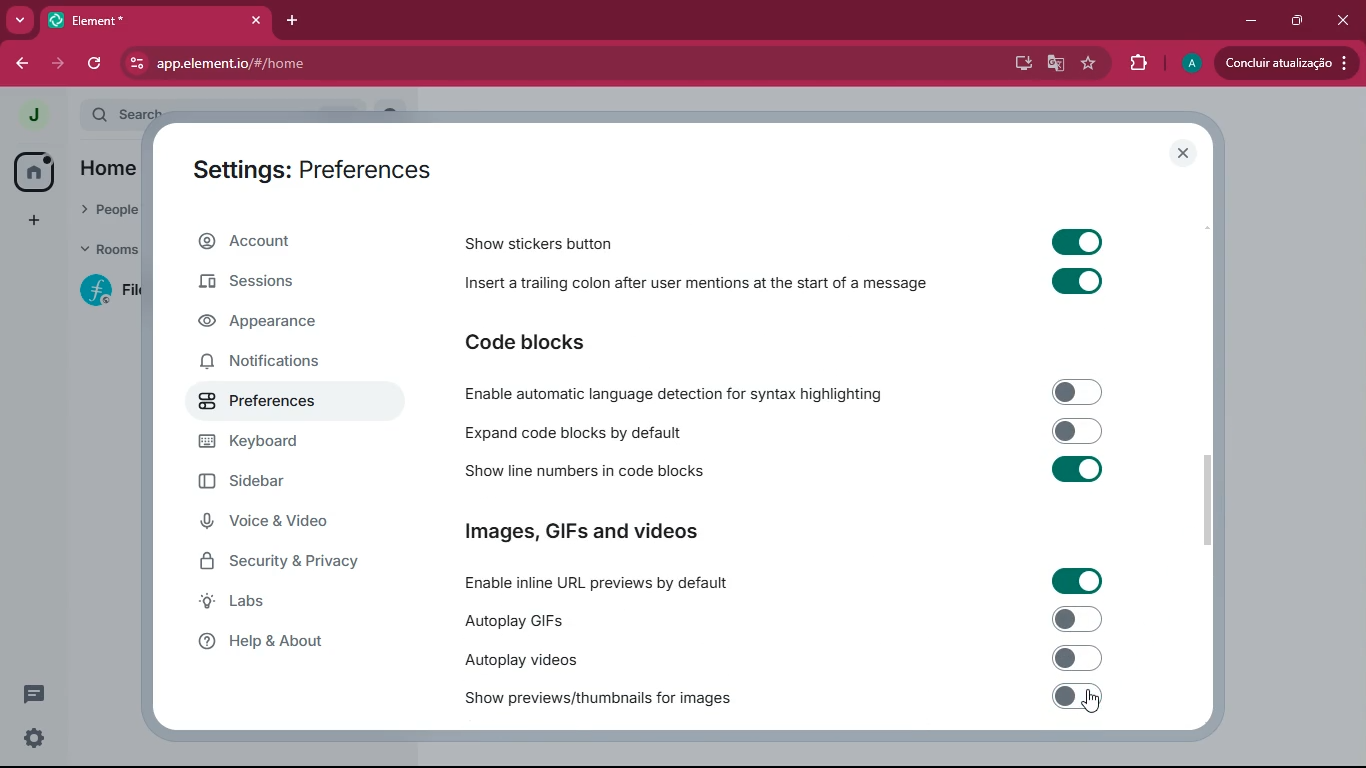  I want to click on Close, so click(254, 21).